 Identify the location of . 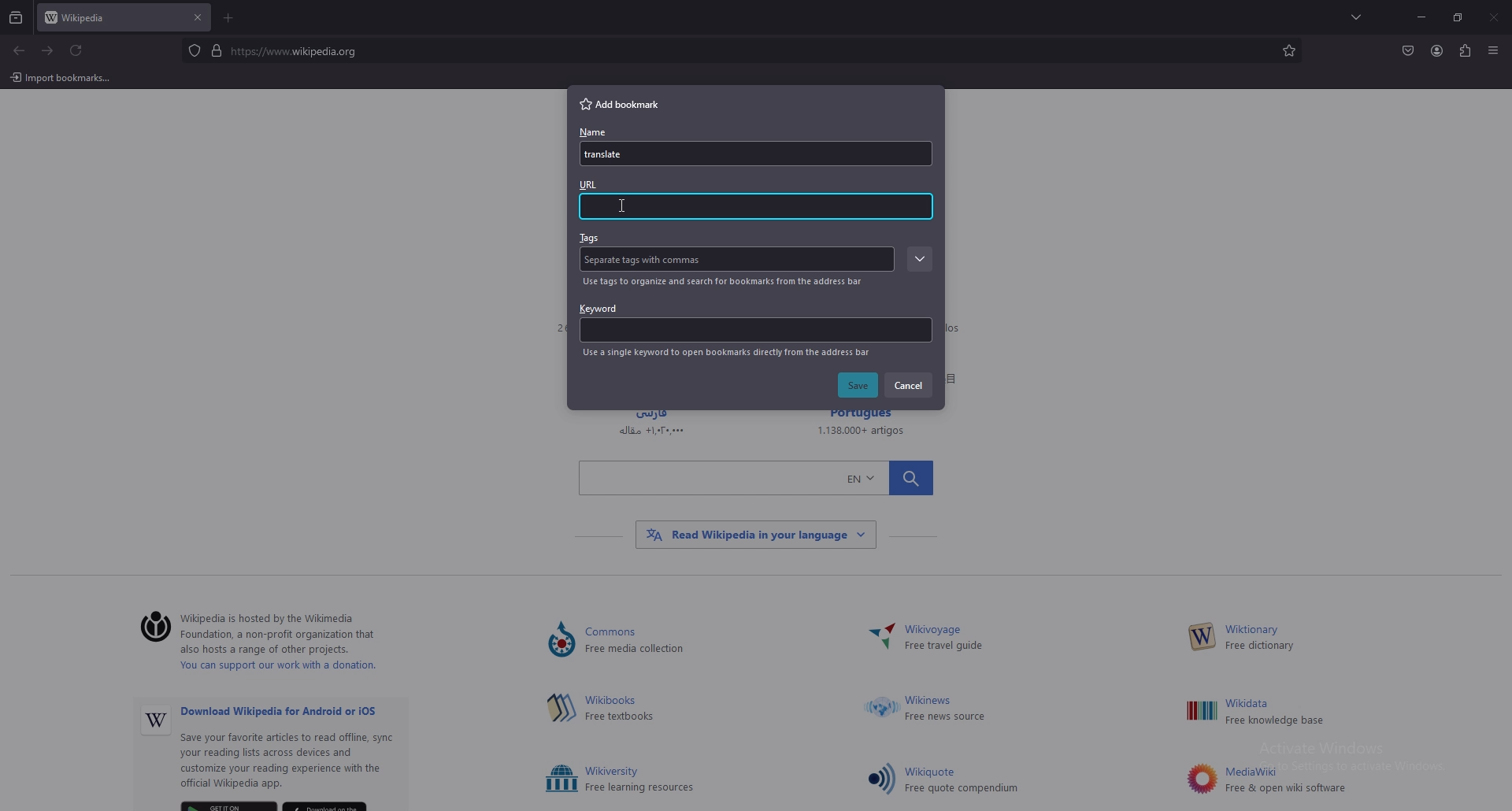
(61, 80).